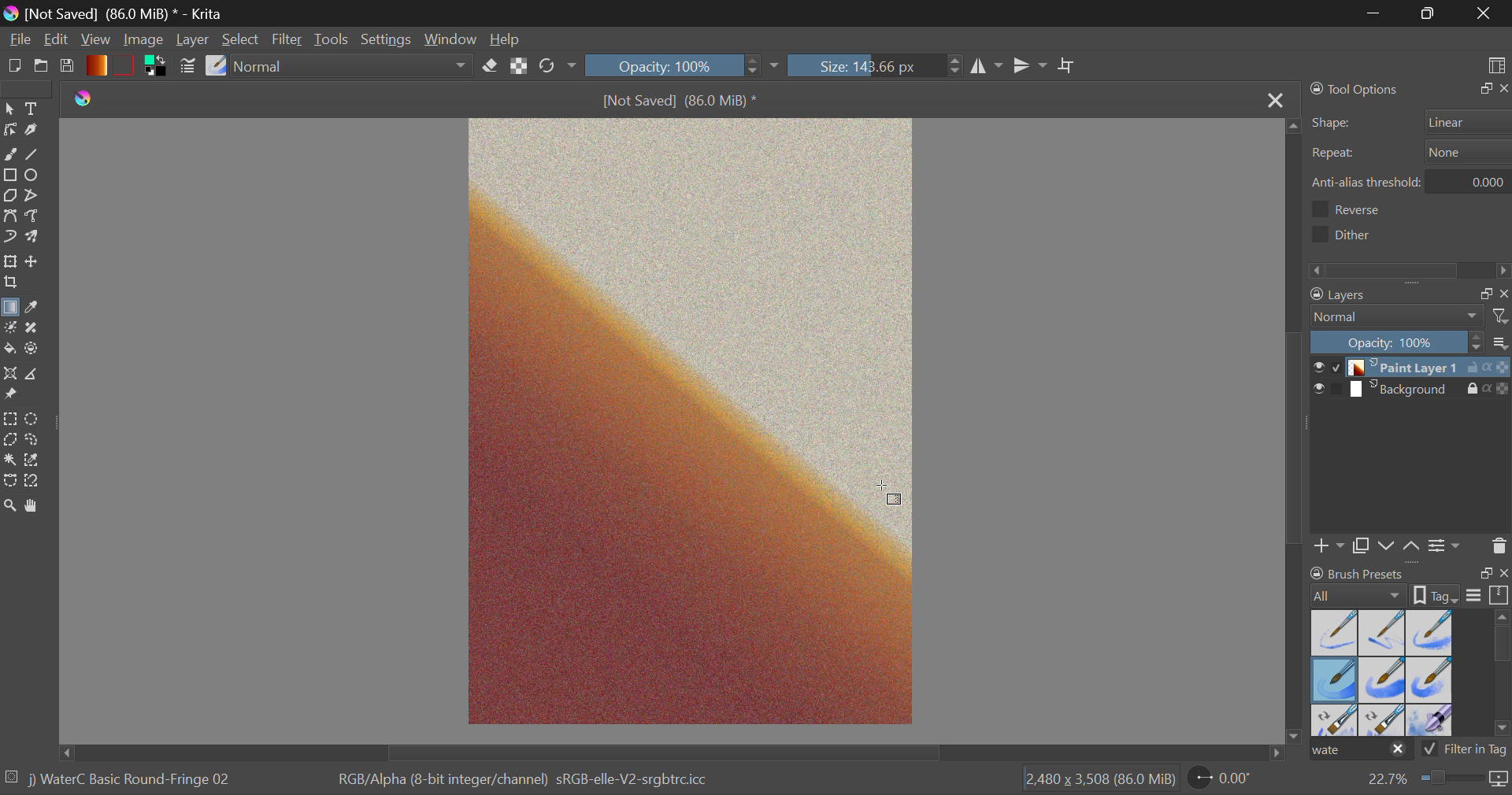 Image resolution: width=1512 pixels, height=795 pixels. What do you see at coordinates (1347, 234) in the screenshot?
I see `dither` at bounding box center [1347, 234].